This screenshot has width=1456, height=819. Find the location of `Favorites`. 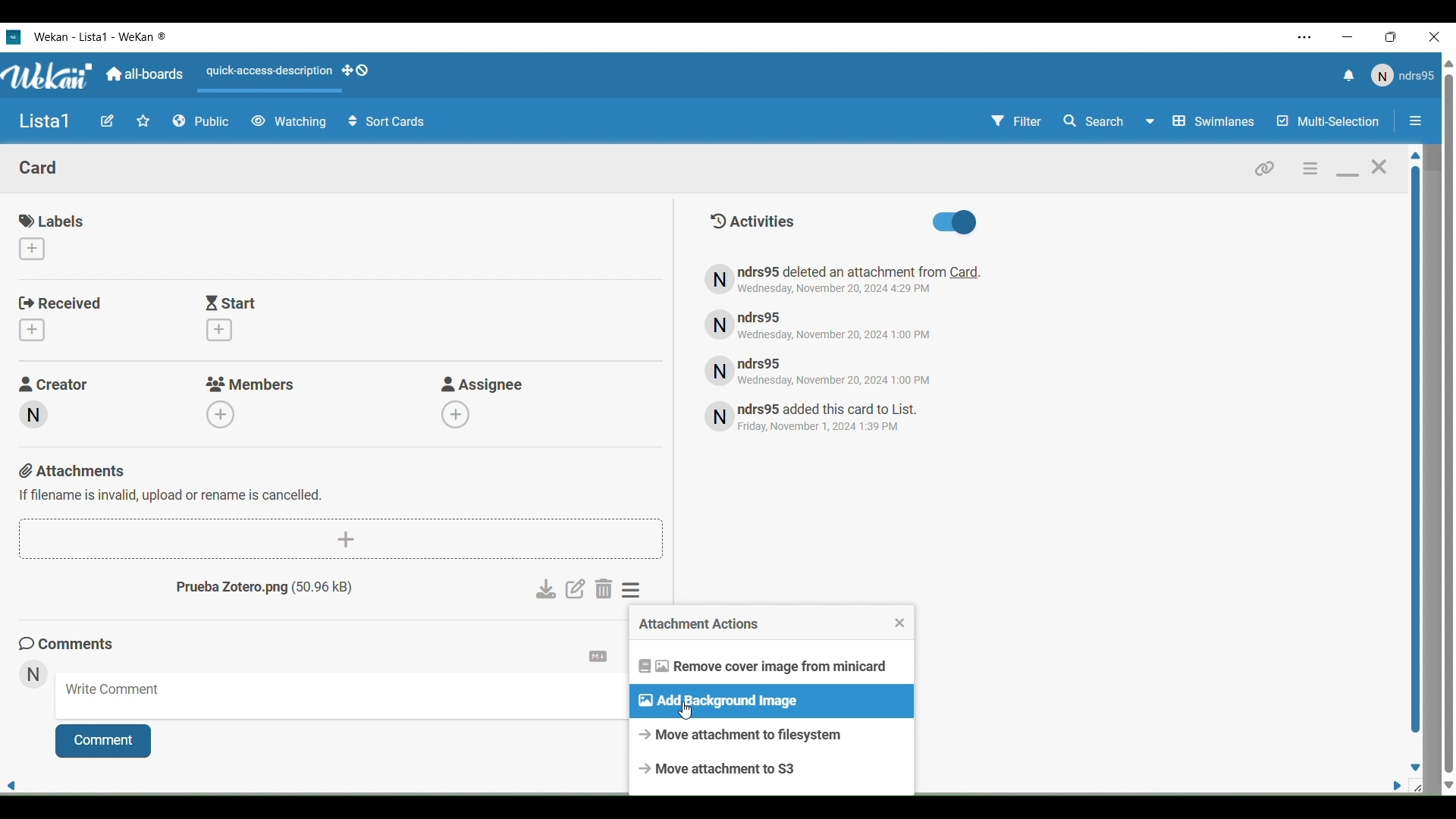

Favorites is located at coordinates (143, 121).